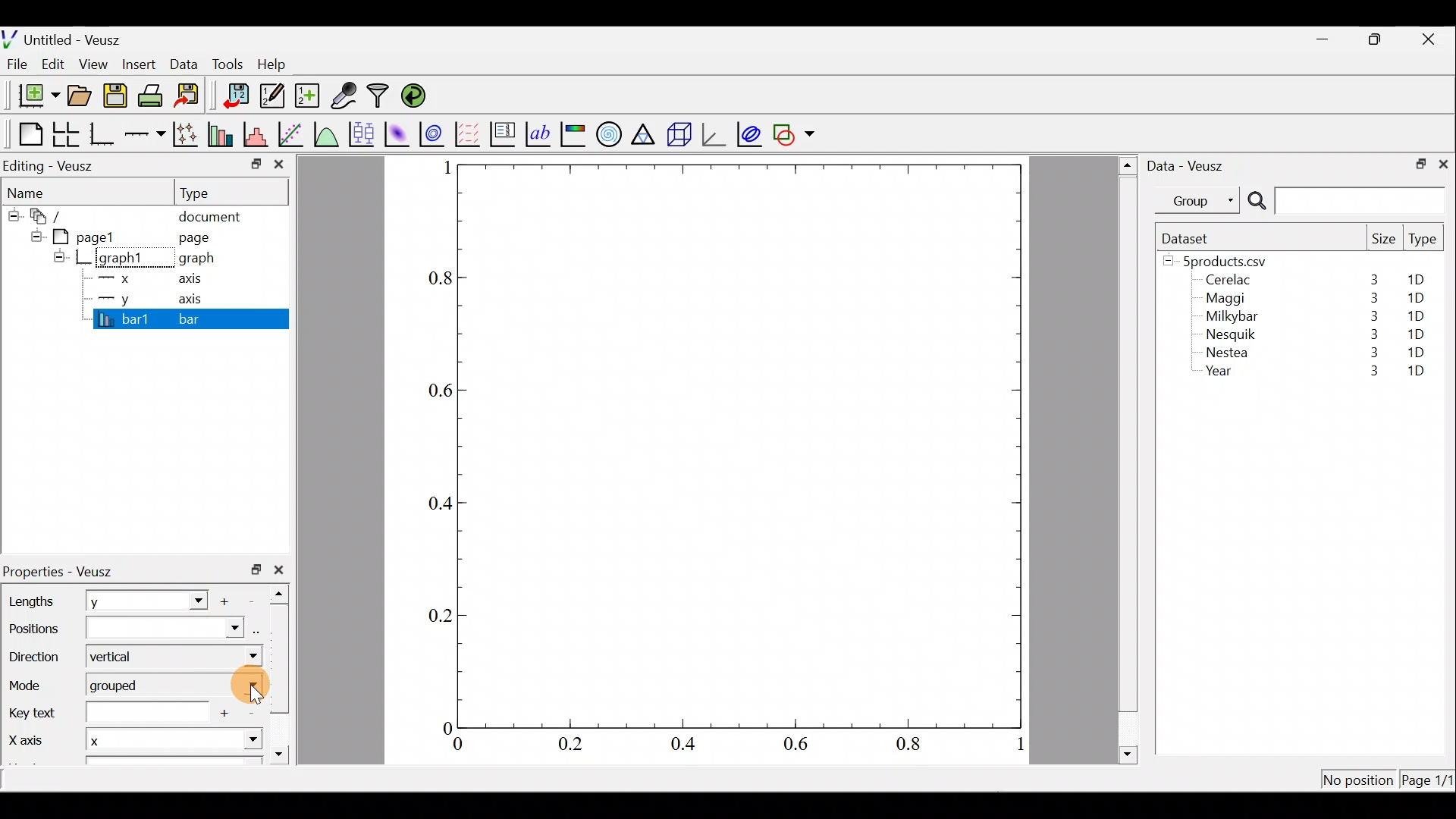 The image size is (1456, 819). Describe the element at coordinates (96, 61) in the screenshot. I see `View` at that location.